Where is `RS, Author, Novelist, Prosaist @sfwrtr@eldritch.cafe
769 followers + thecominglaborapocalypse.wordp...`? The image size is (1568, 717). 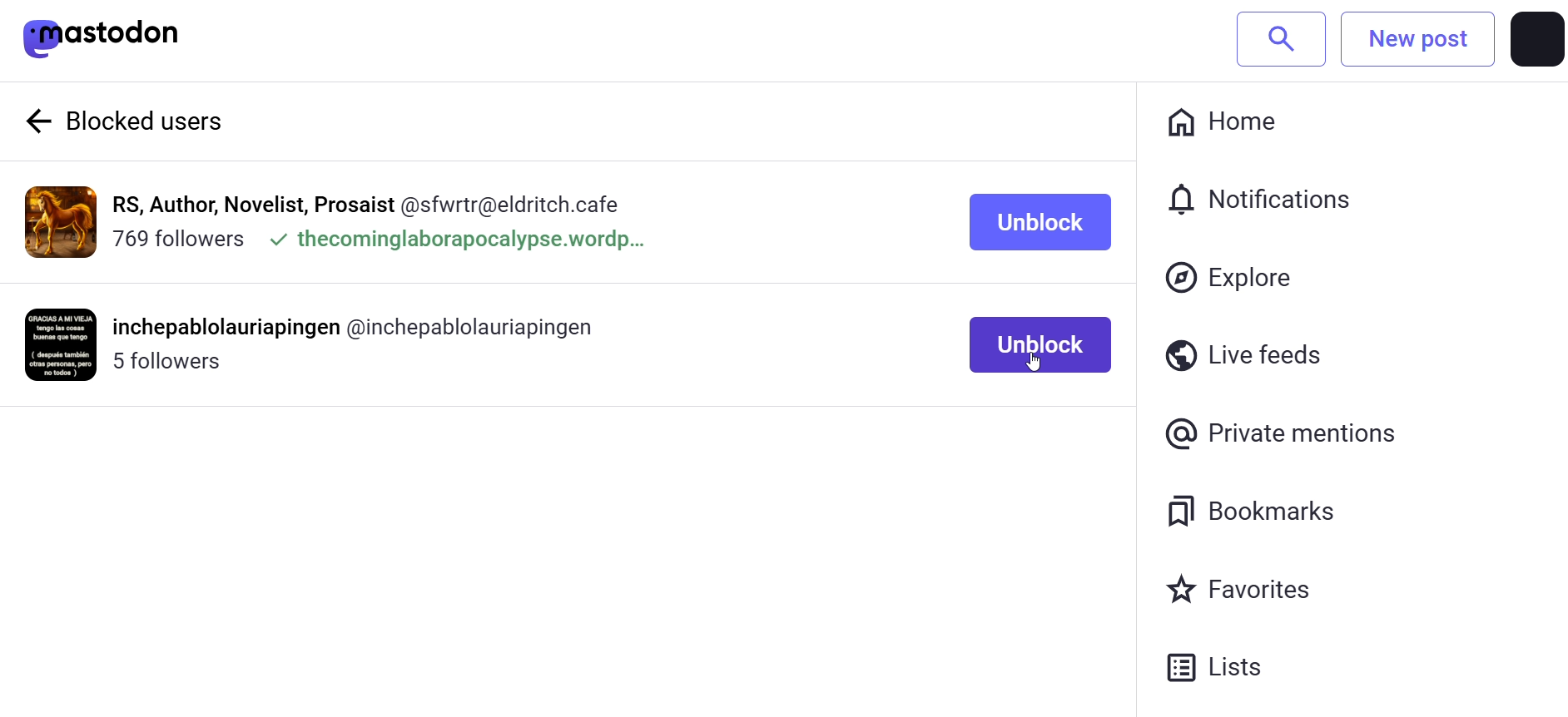
RS, Author, Novelist, Prosaist @sfwrtr@eldritch.cafe
769 followers + thecominglaborapocalypse.wordp... is located at coordinates (387, 220).